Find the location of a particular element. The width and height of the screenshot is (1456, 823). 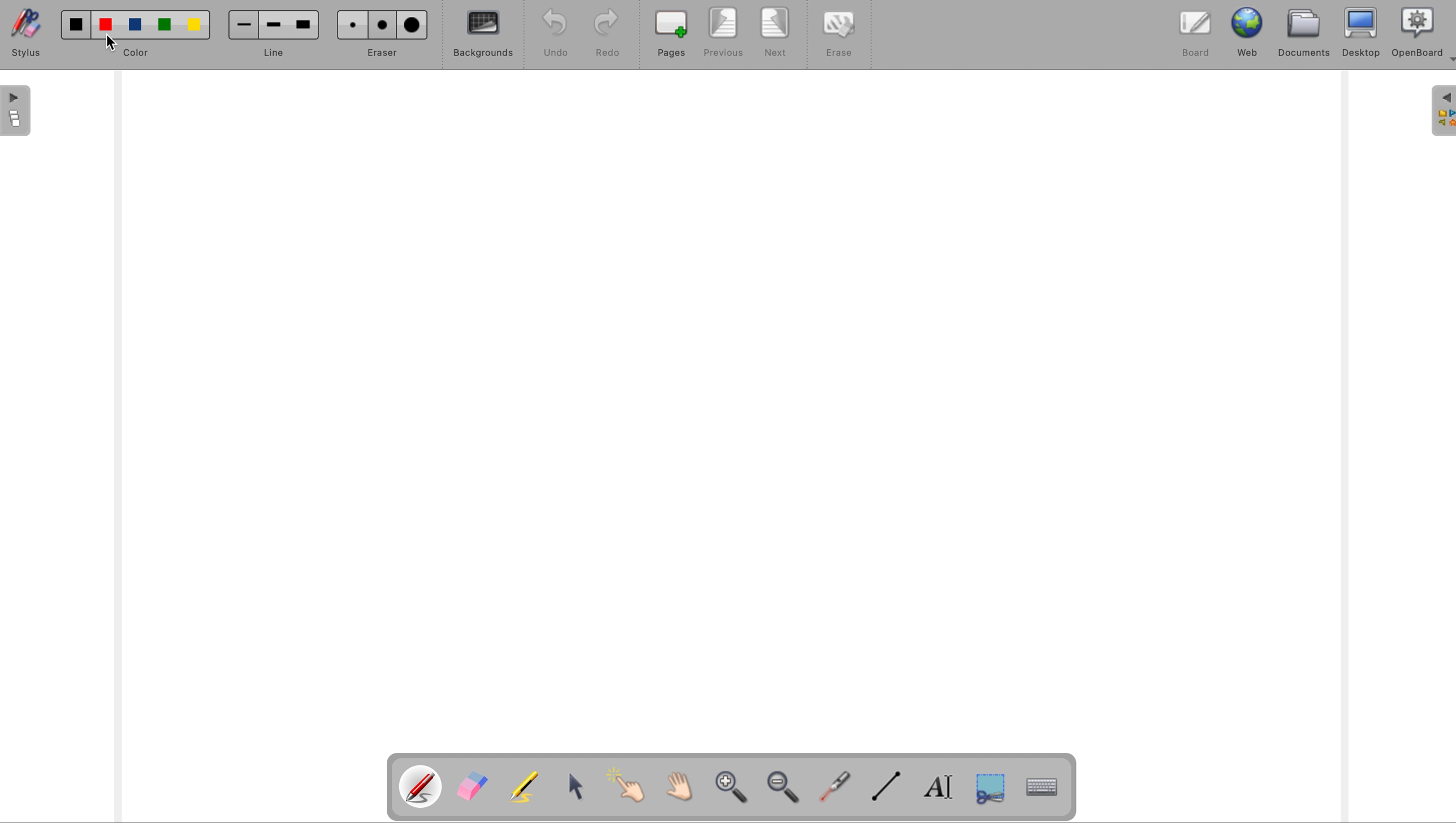

cursor is located at coordinates (111, 45).